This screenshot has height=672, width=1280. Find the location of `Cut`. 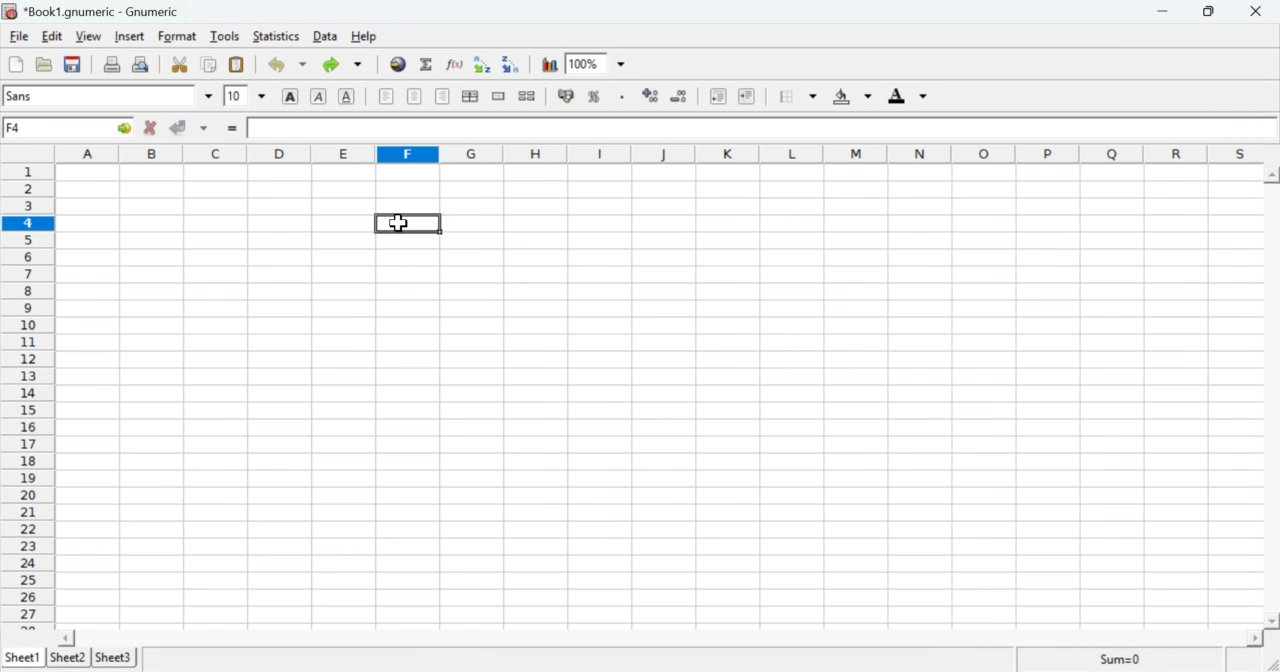

Cut is located at coordinates (180, 63).